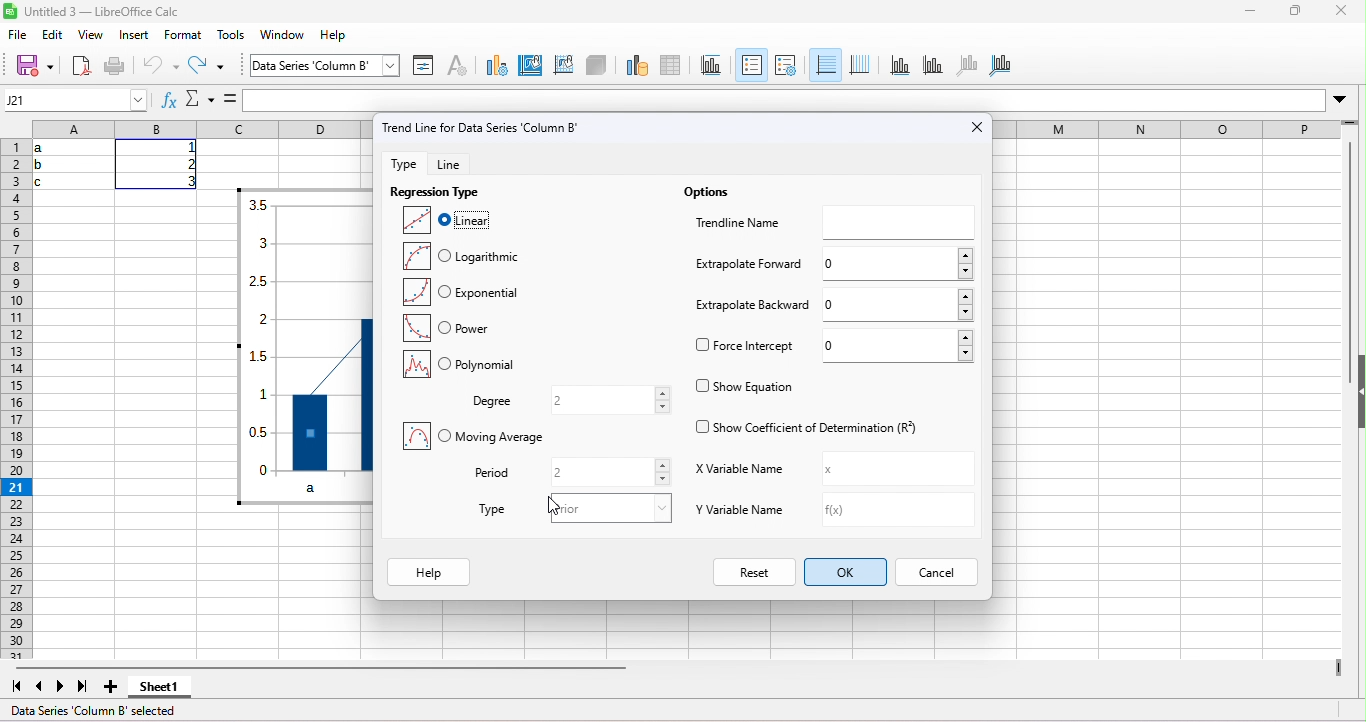 The image size is (1366, 722). What do you see at coordinates (35, 65) in the screenshot?
I see `save` at bounding box center [35, 65].